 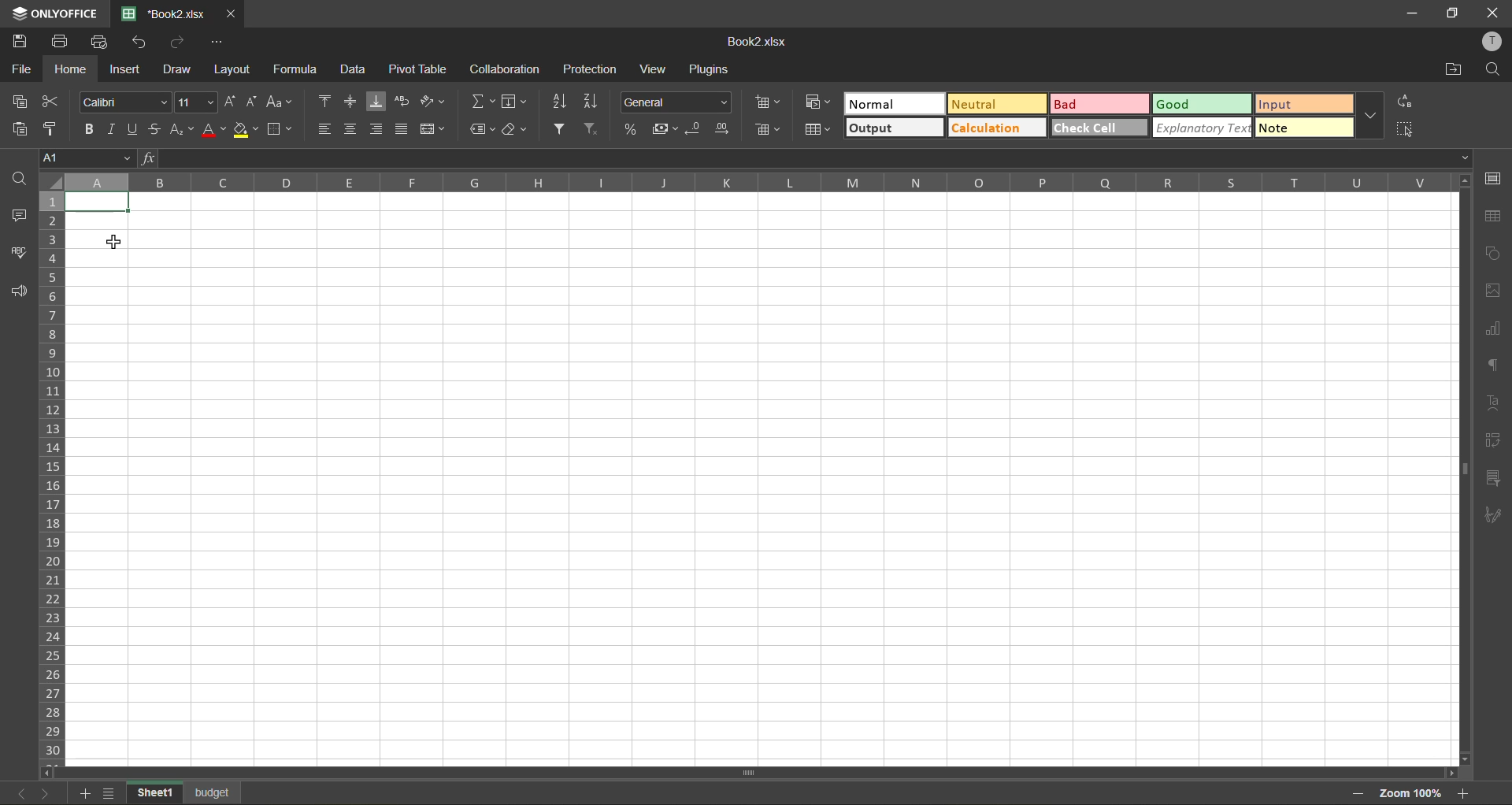 I want to click on zoom in, so click(x=1468, y=792).